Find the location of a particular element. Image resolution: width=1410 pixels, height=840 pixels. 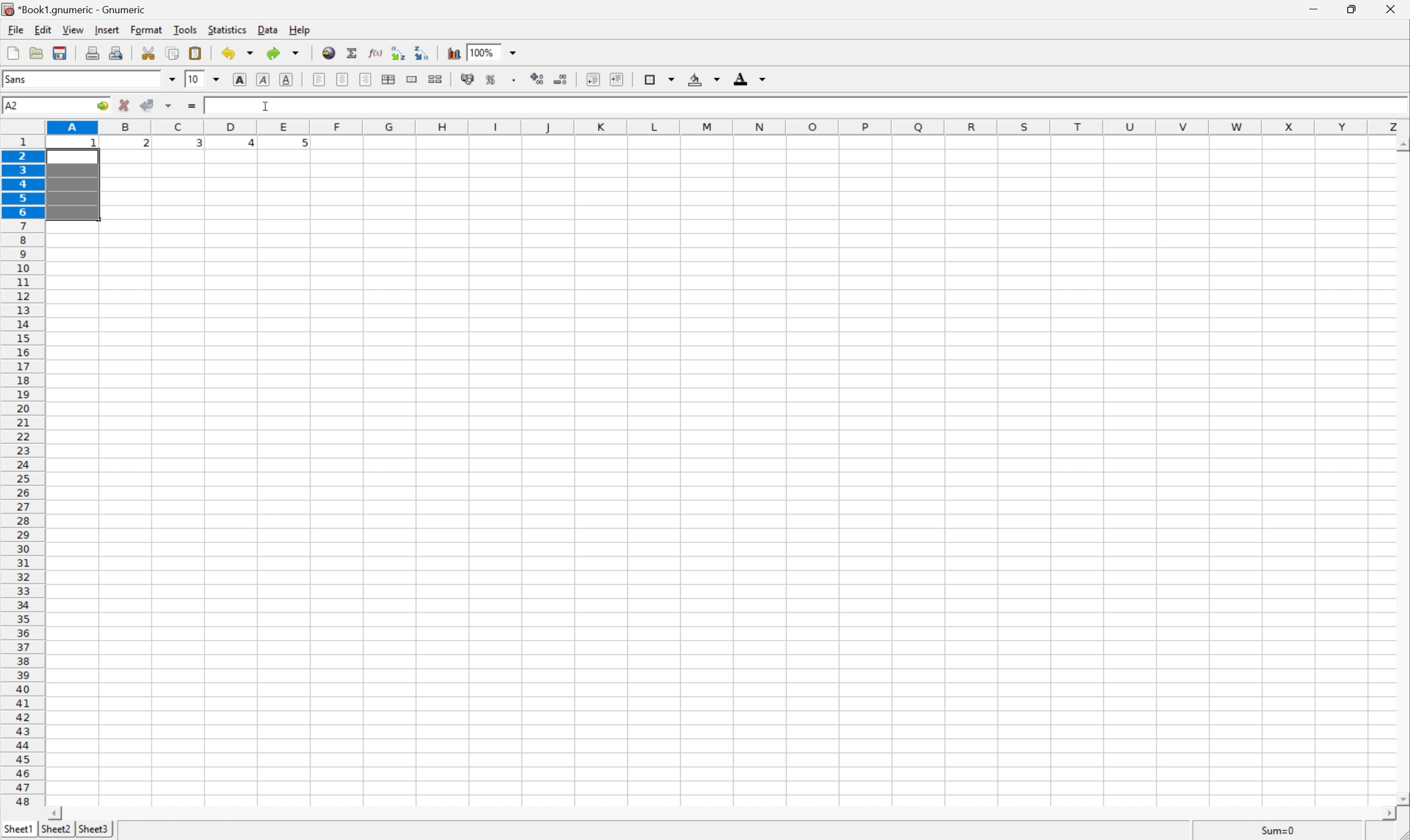

format is located at coordinates (144, 30).